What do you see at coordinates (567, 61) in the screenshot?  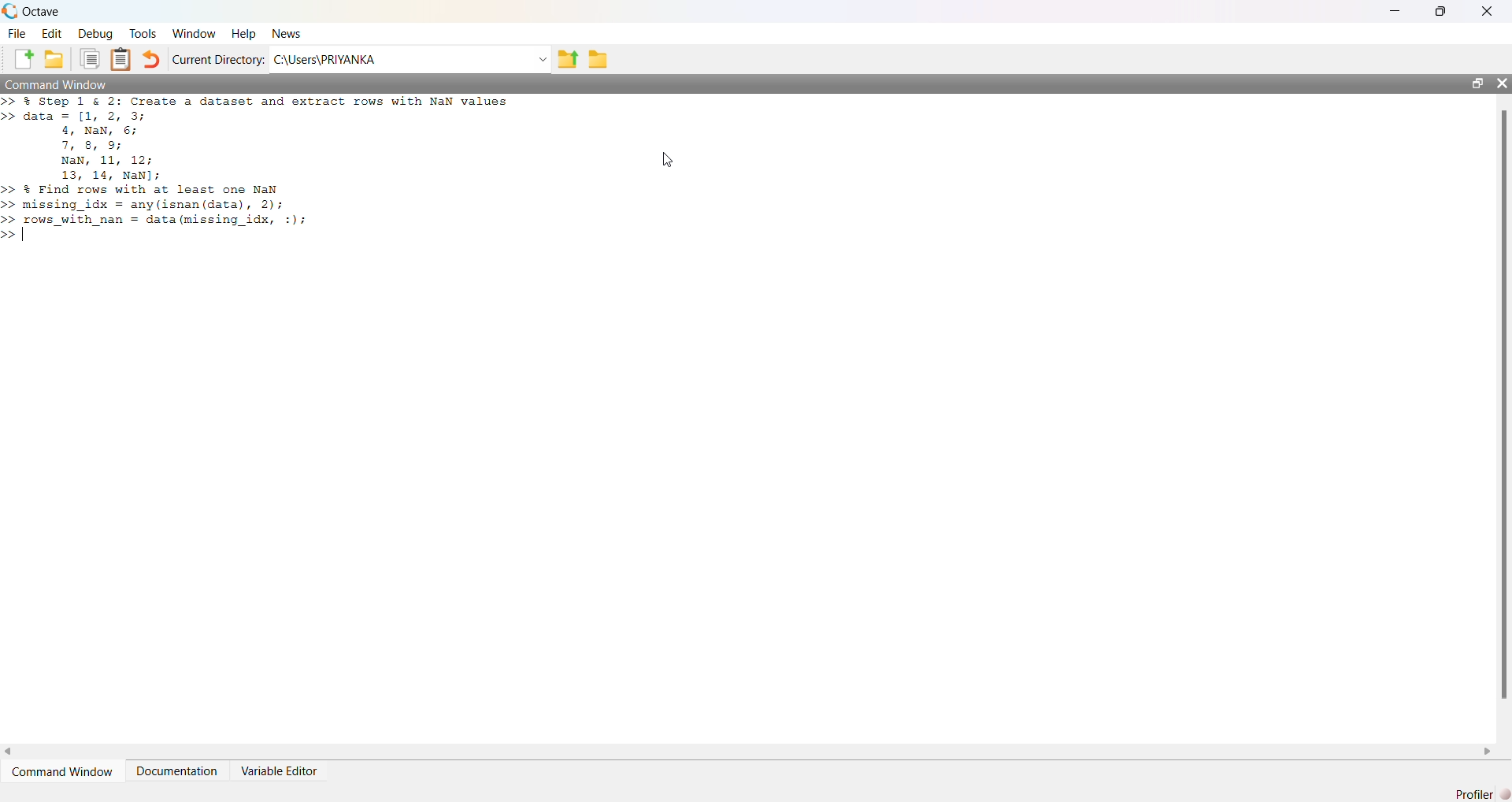 I see `previous folder` at bounding box center [567, 61].